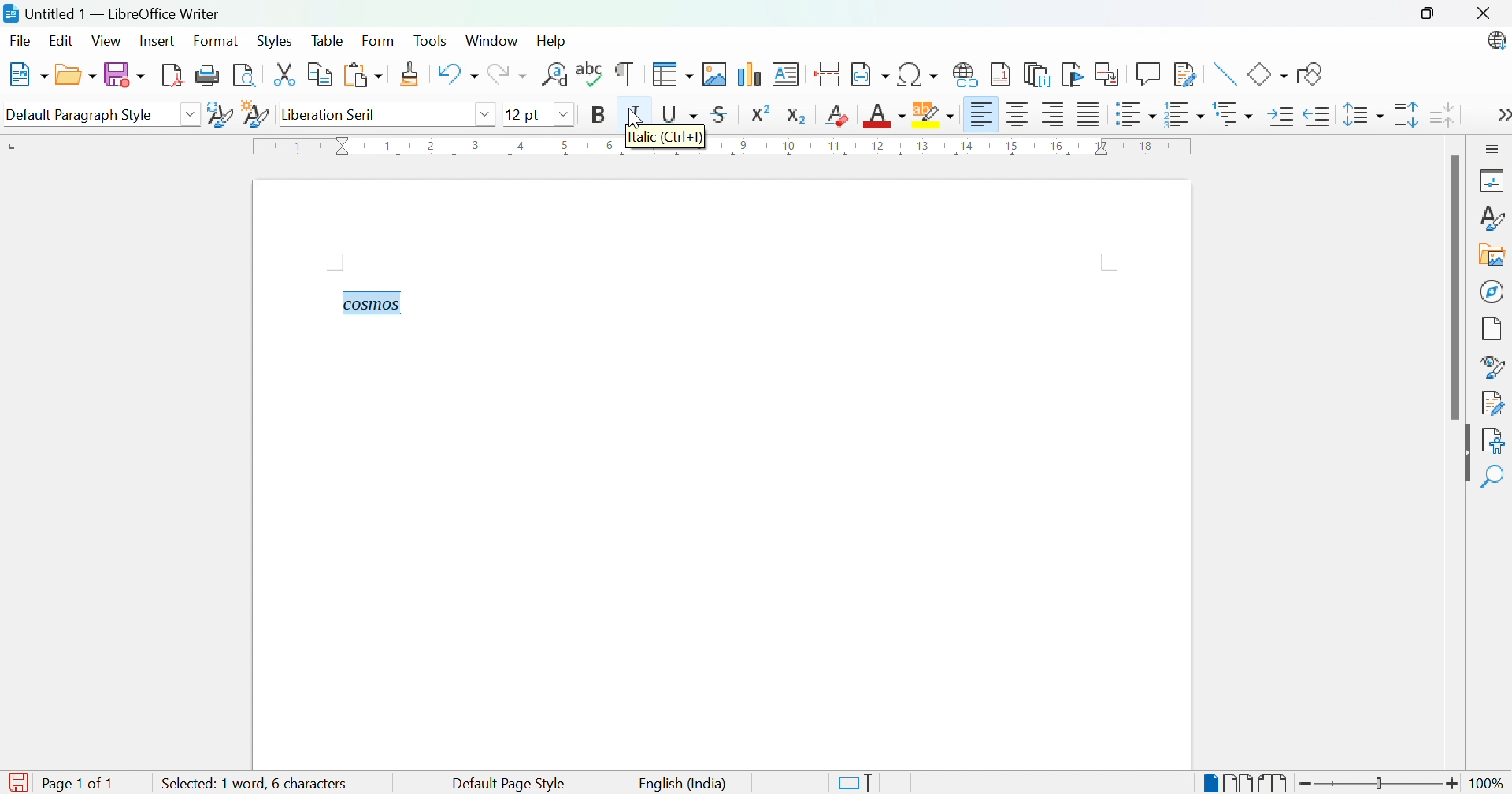 This screenshot has height=794, width=1512. Describe the element at coordinates (126, 76) in the screenshot. I see `Save` at that location.